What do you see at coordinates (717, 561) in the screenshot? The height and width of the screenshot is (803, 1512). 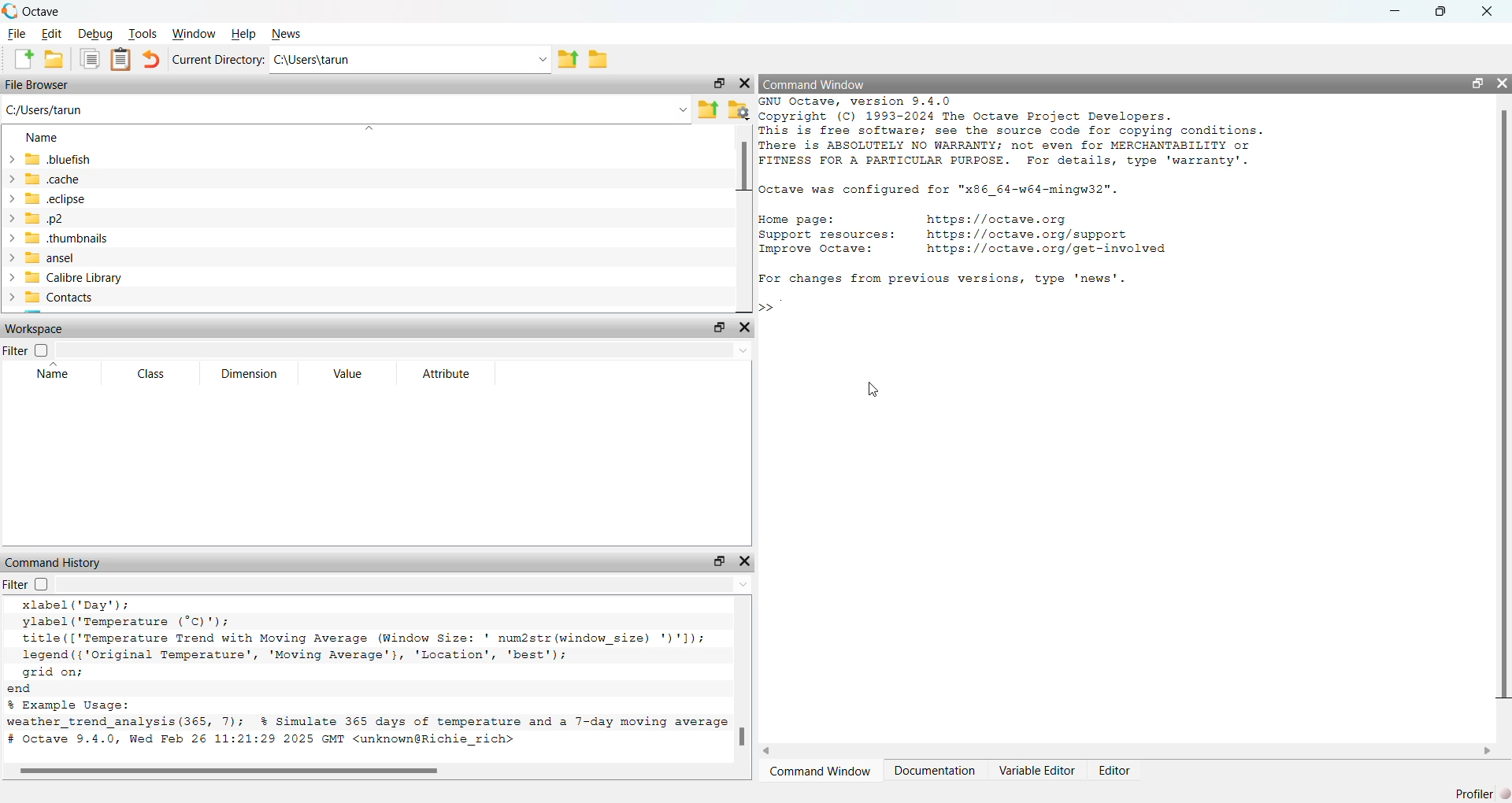 I see `maximise` at bounding box center [717, 561].